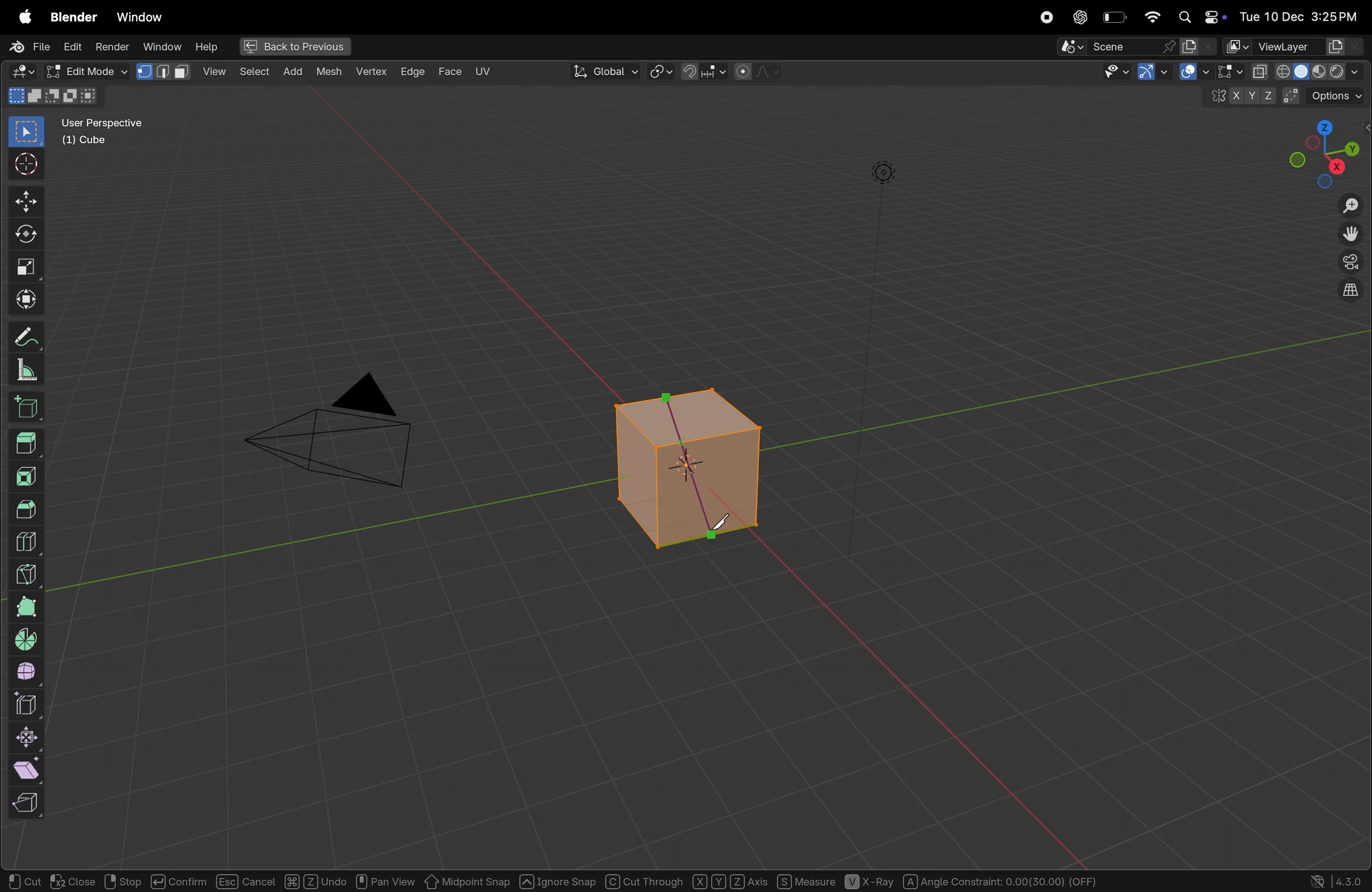  What do you see at coordinates (25, 339) in the screenshot?
I see `annotate` at bounding box center [25, 339].